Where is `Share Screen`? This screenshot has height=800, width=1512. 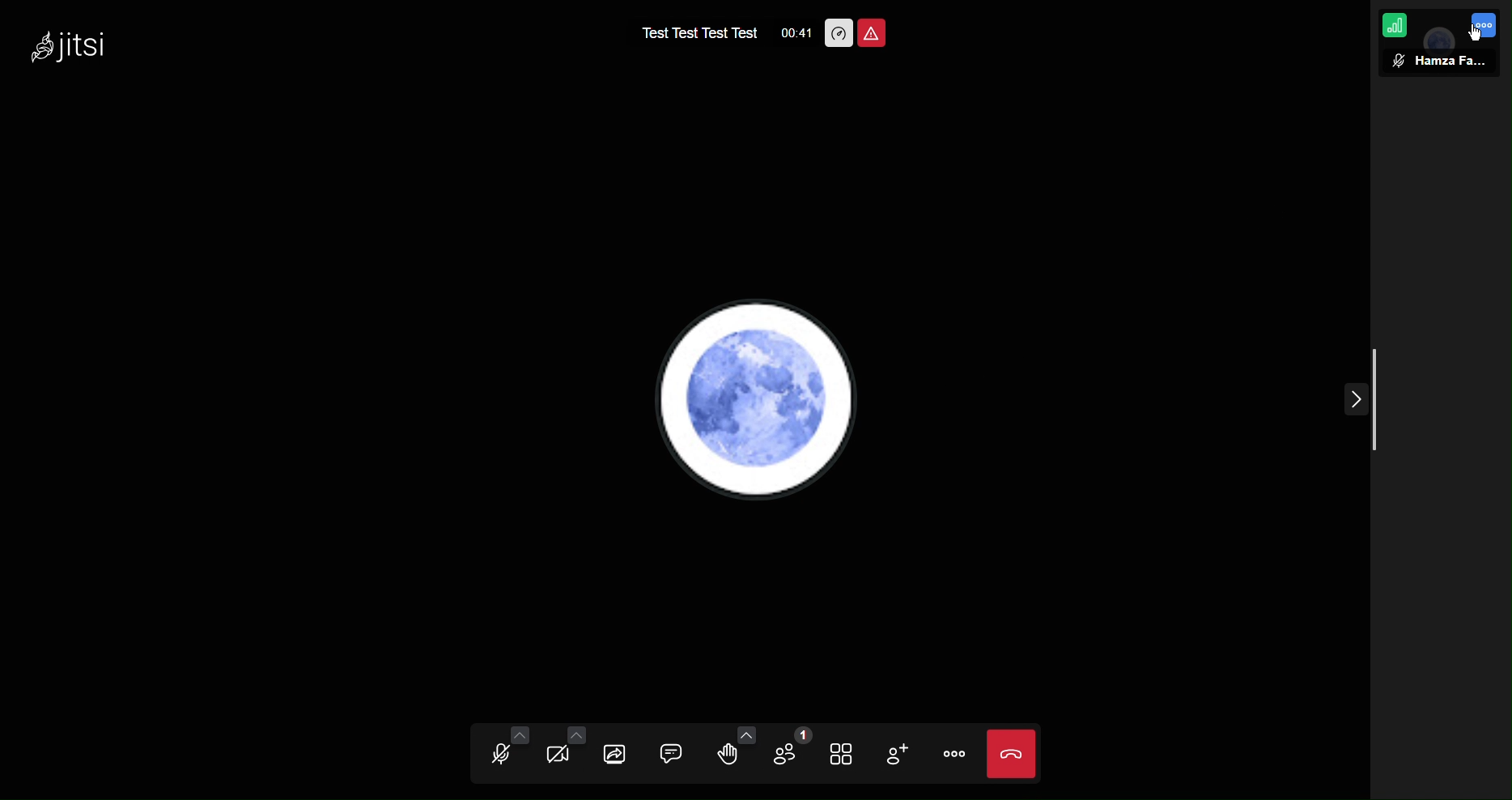
Share Screen is located at coordinates (617, 753).